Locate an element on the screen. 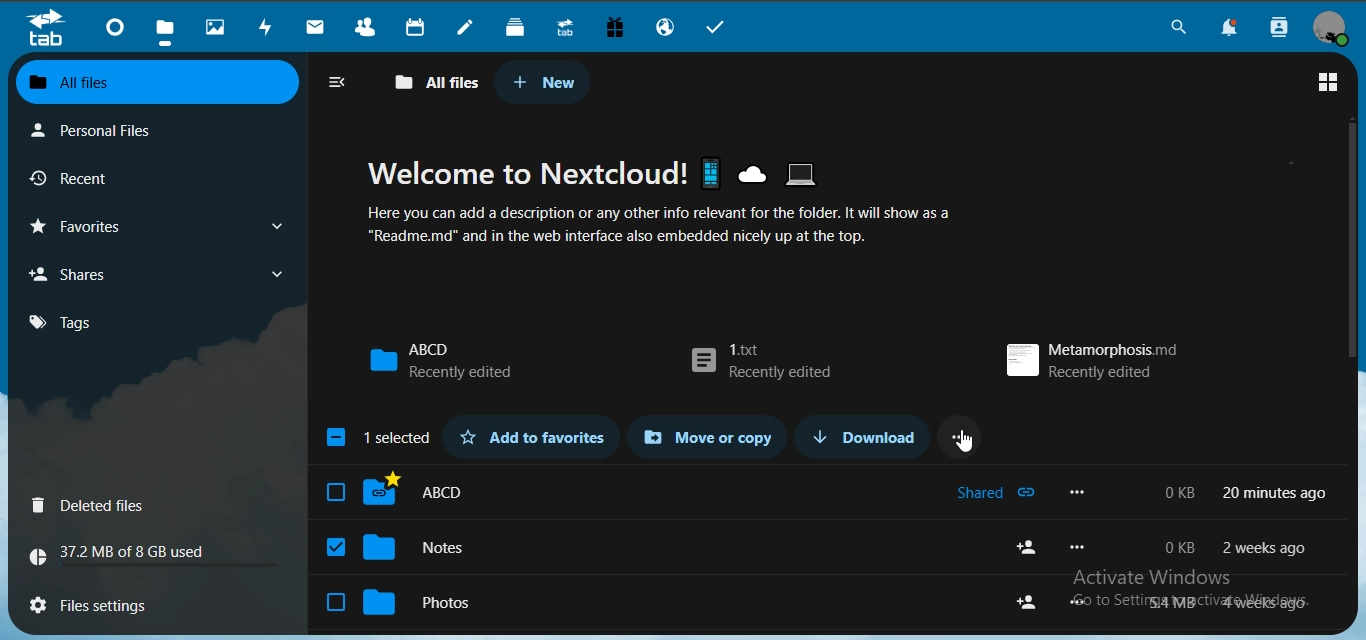 The width and height of the screenshot is (1366, 640). upgrade is located at coordinates (566, 26).